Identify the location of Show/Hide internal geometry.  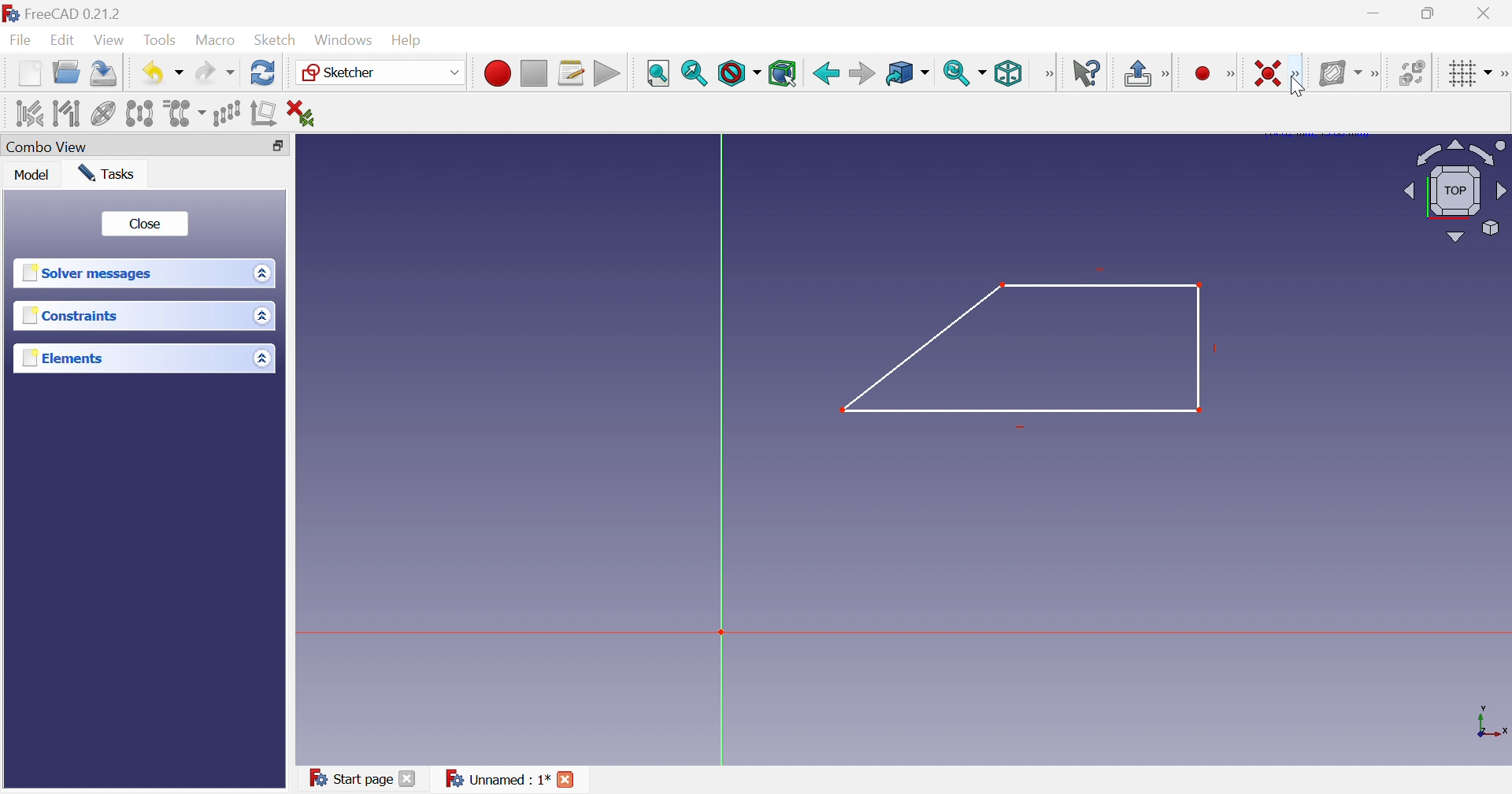
(102, 113).